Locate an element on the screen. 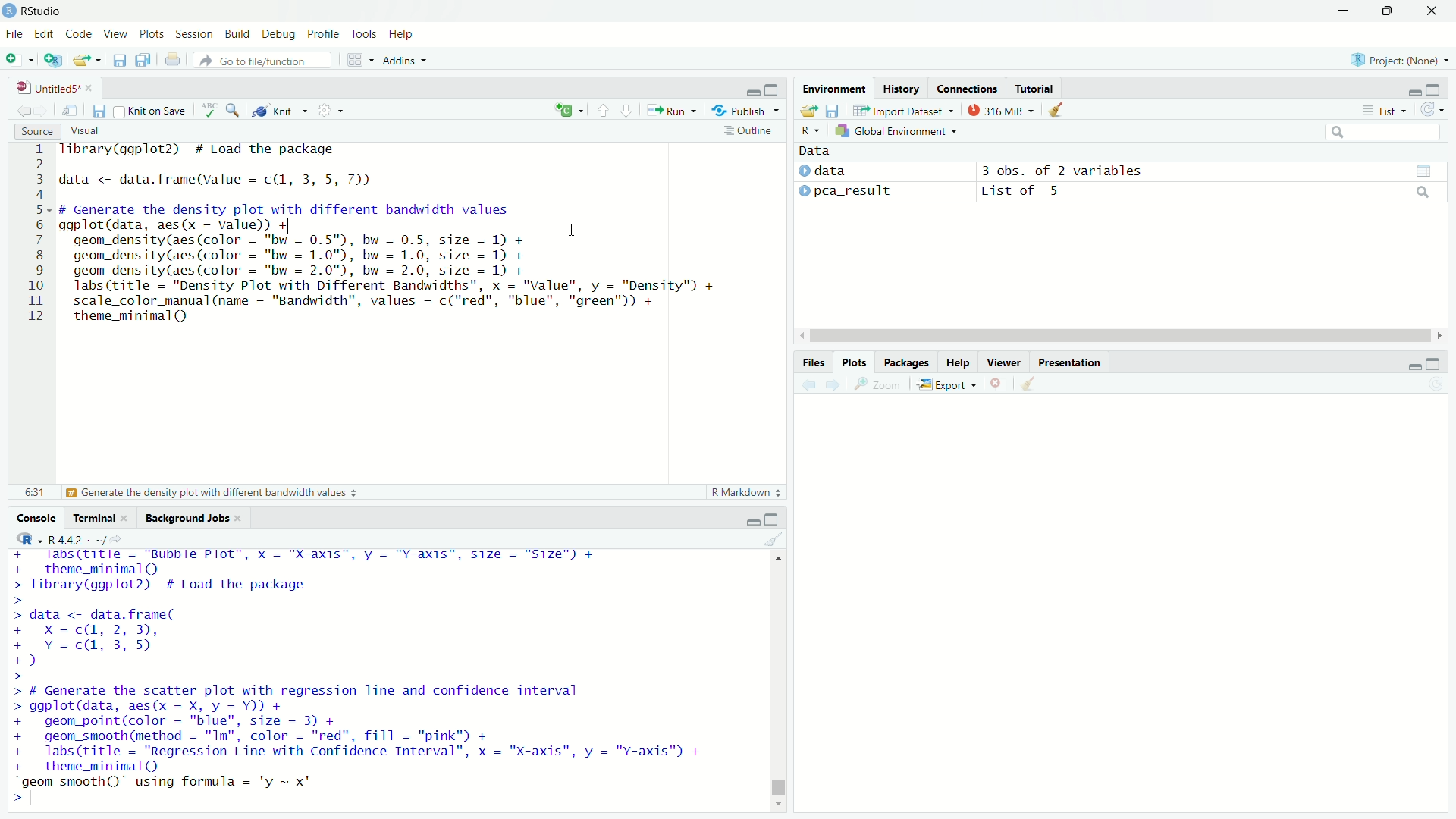 The width and height of the screenshot is (1456, 819). View is located at coordinates (115, 33).